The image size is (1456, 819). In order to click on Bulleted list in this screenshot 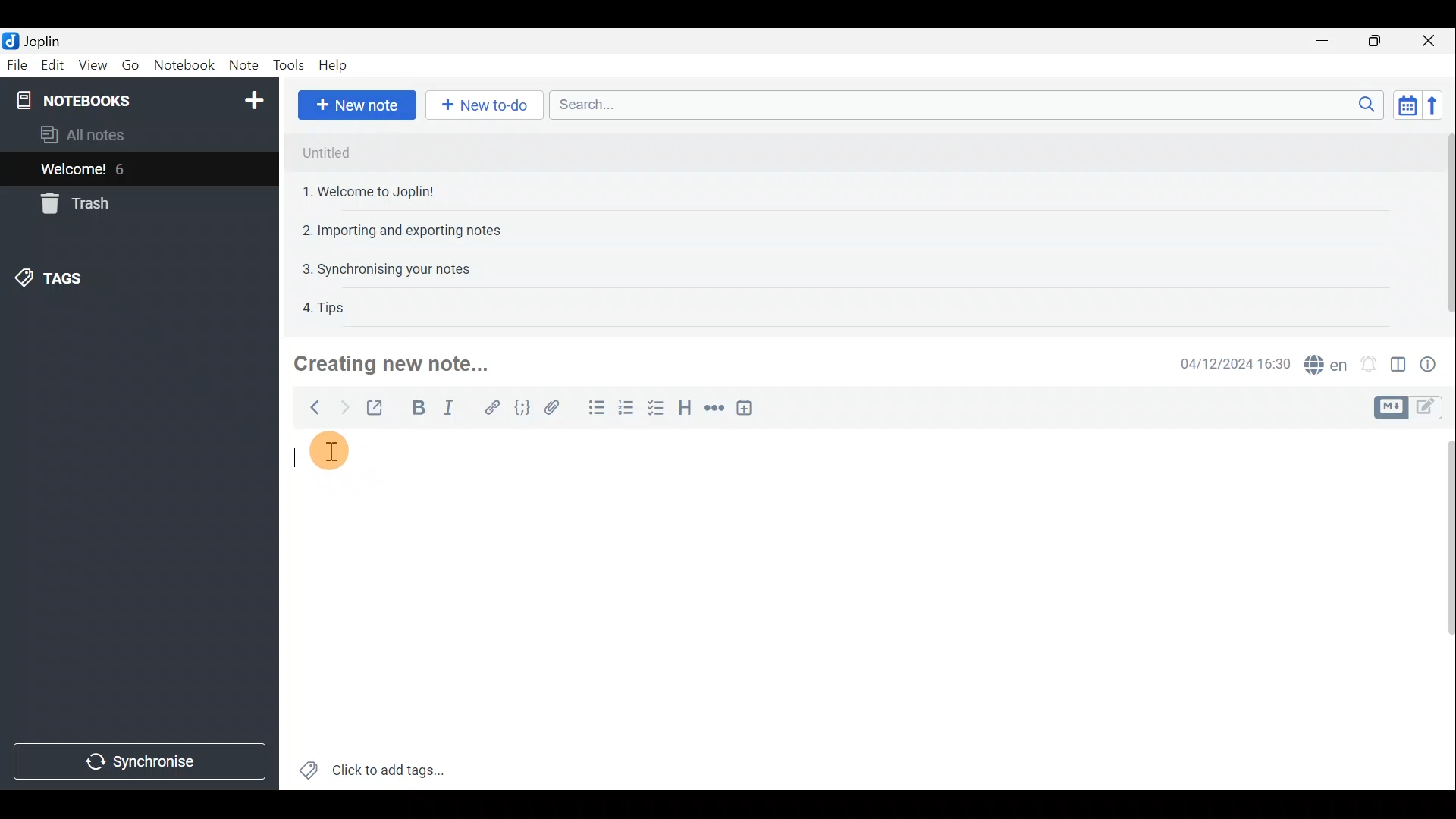, I will do `click(595, 408)`.